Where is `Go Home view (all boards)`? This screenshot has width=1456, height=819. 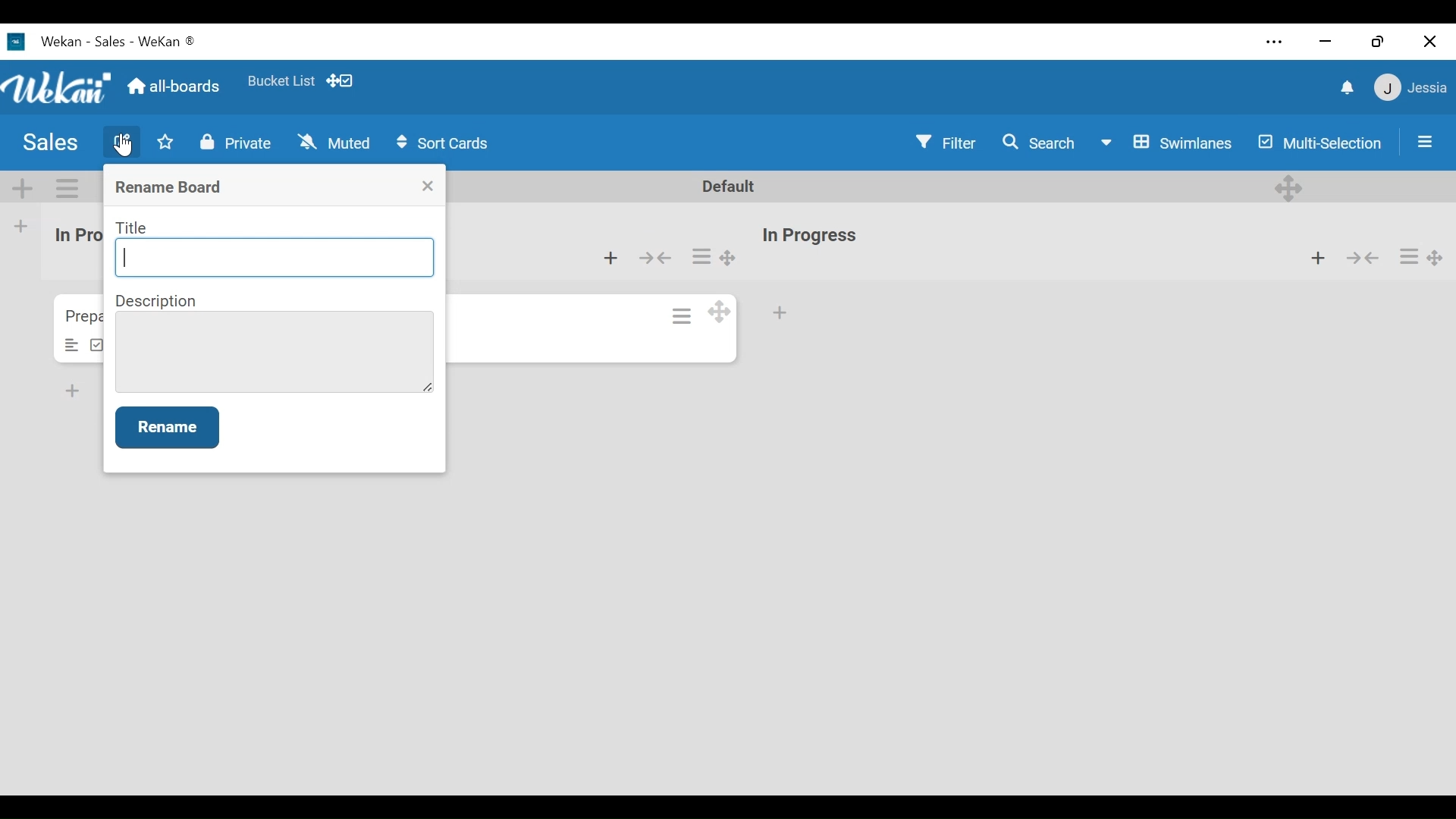 Go Home view (all boards) is located at coordinates (176, 84).